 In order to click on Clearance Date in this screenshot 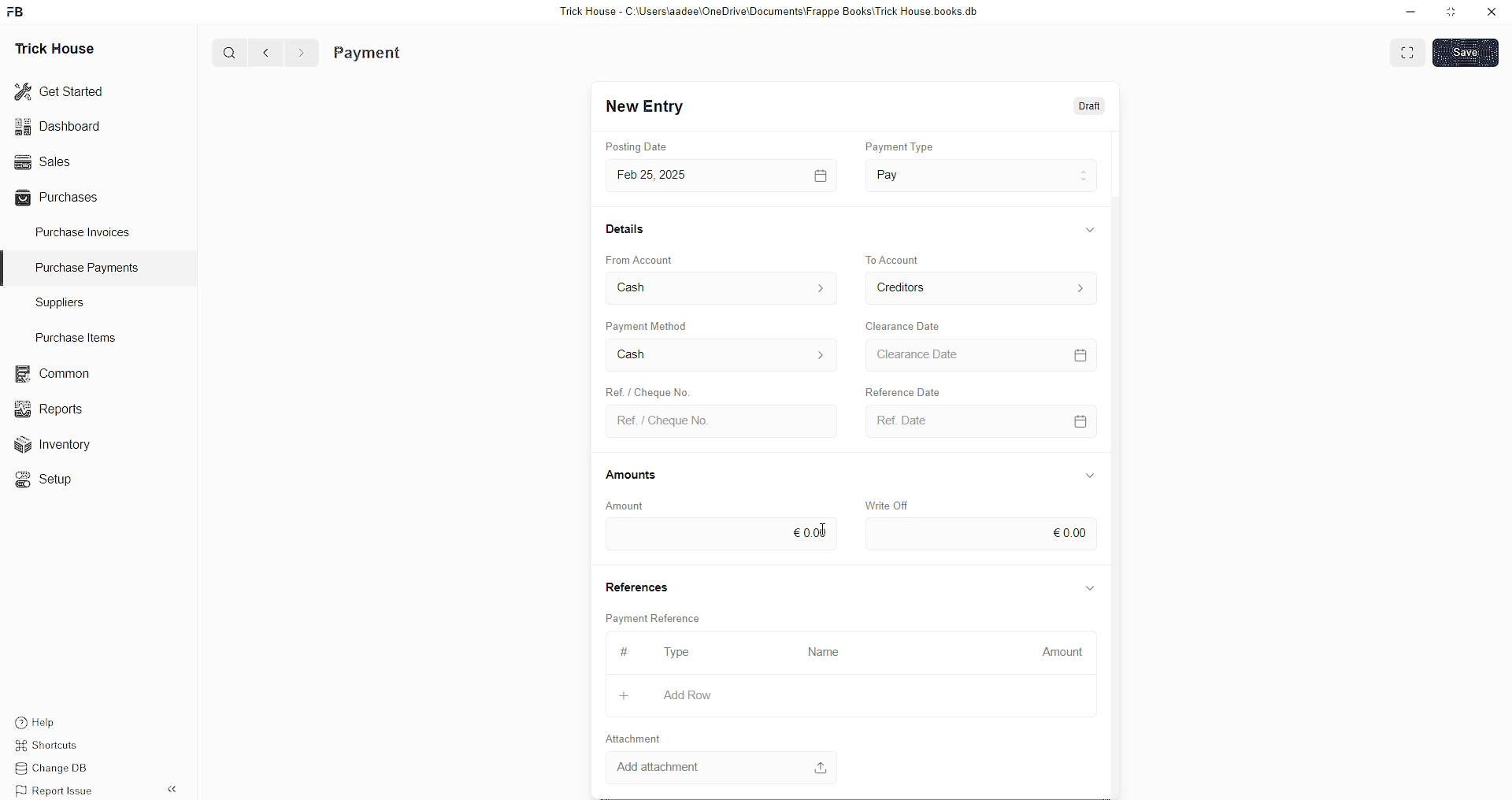, I will do `click(916, 326)`.